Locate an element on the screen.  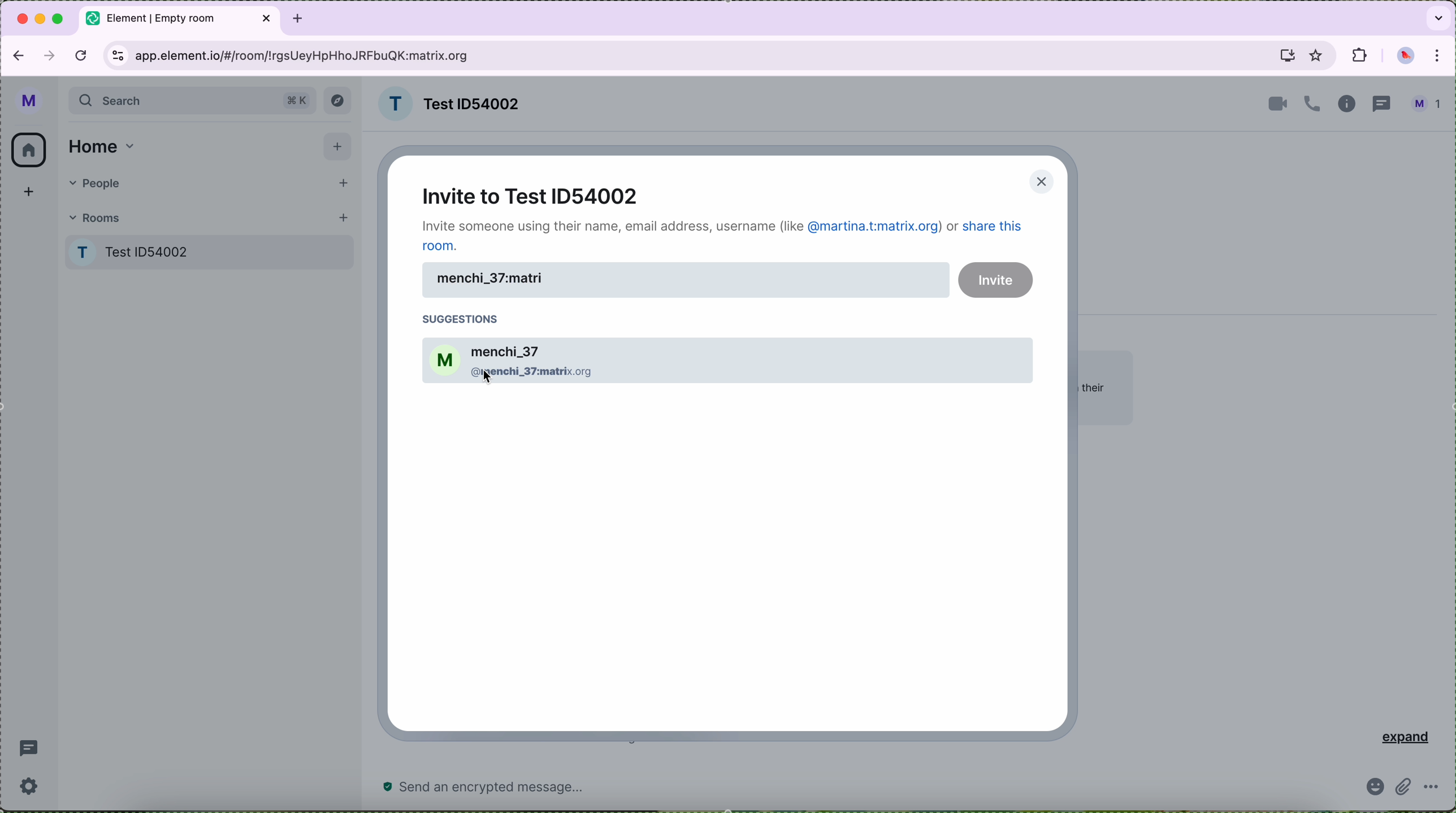
invite button is located at coordinates (996, 280).